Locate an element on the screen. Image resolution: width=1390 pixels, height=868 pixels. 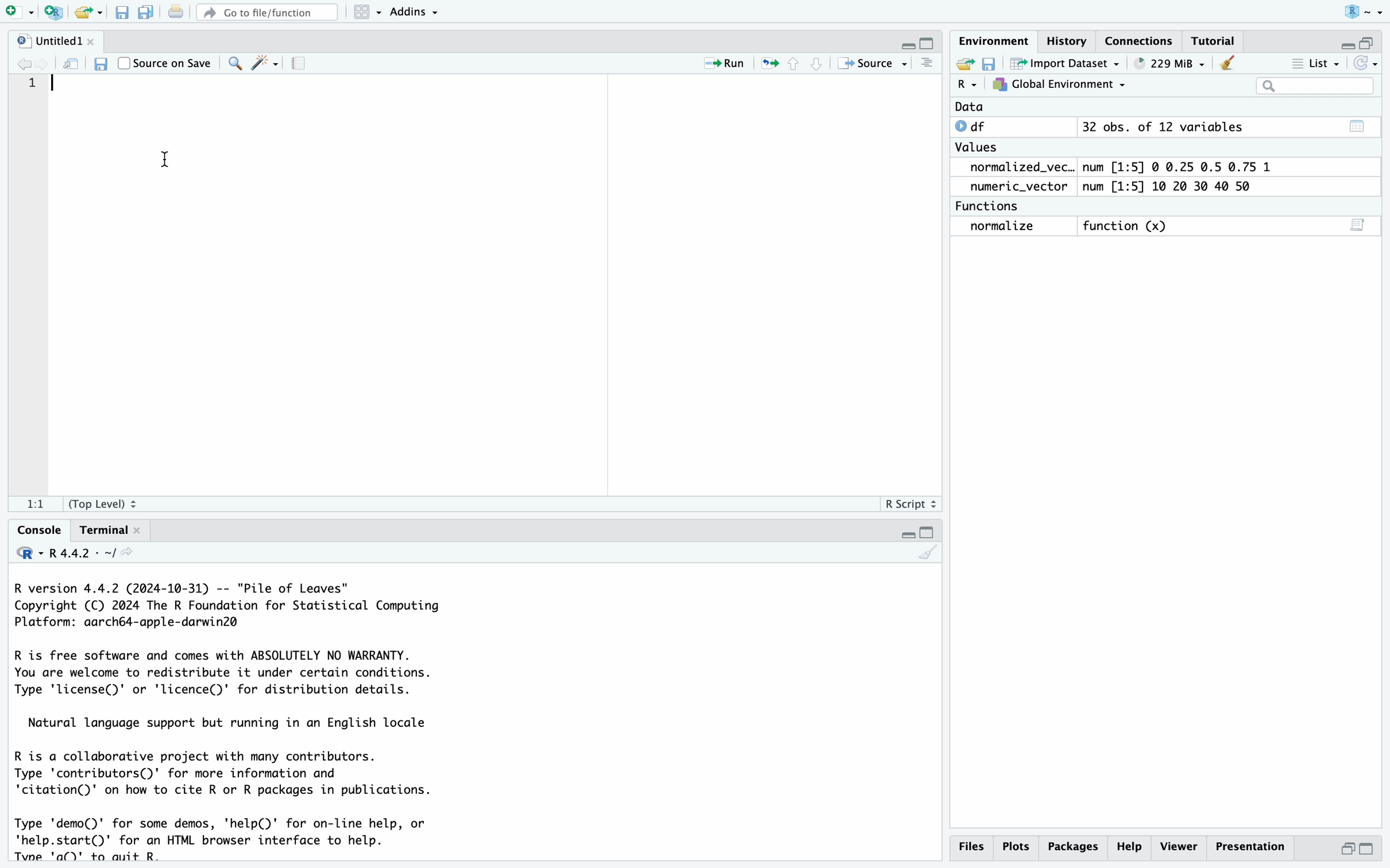
clear data is located at coordinates (1230, 62).